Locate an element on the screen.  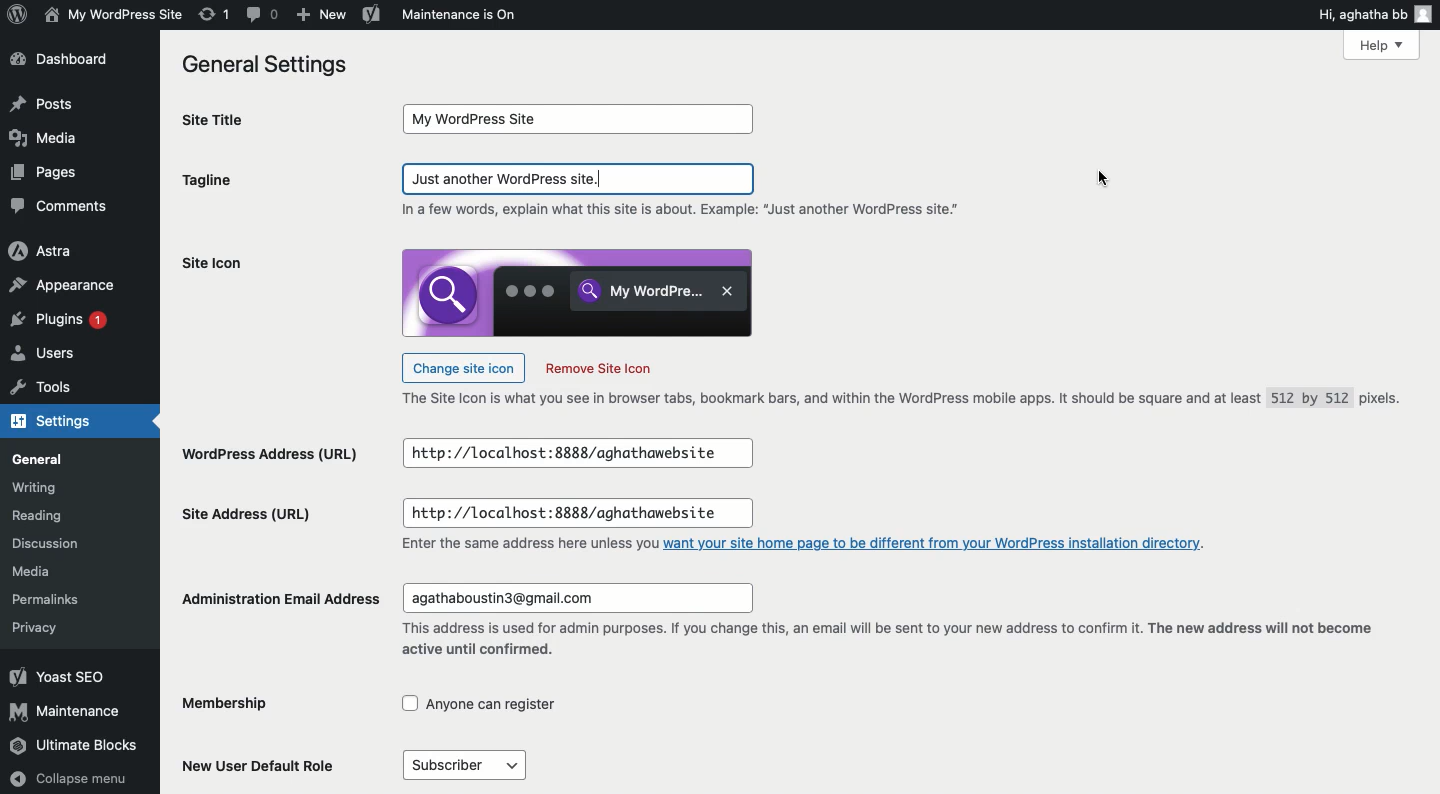
Wordpress address is located at coordinates (268, 456).